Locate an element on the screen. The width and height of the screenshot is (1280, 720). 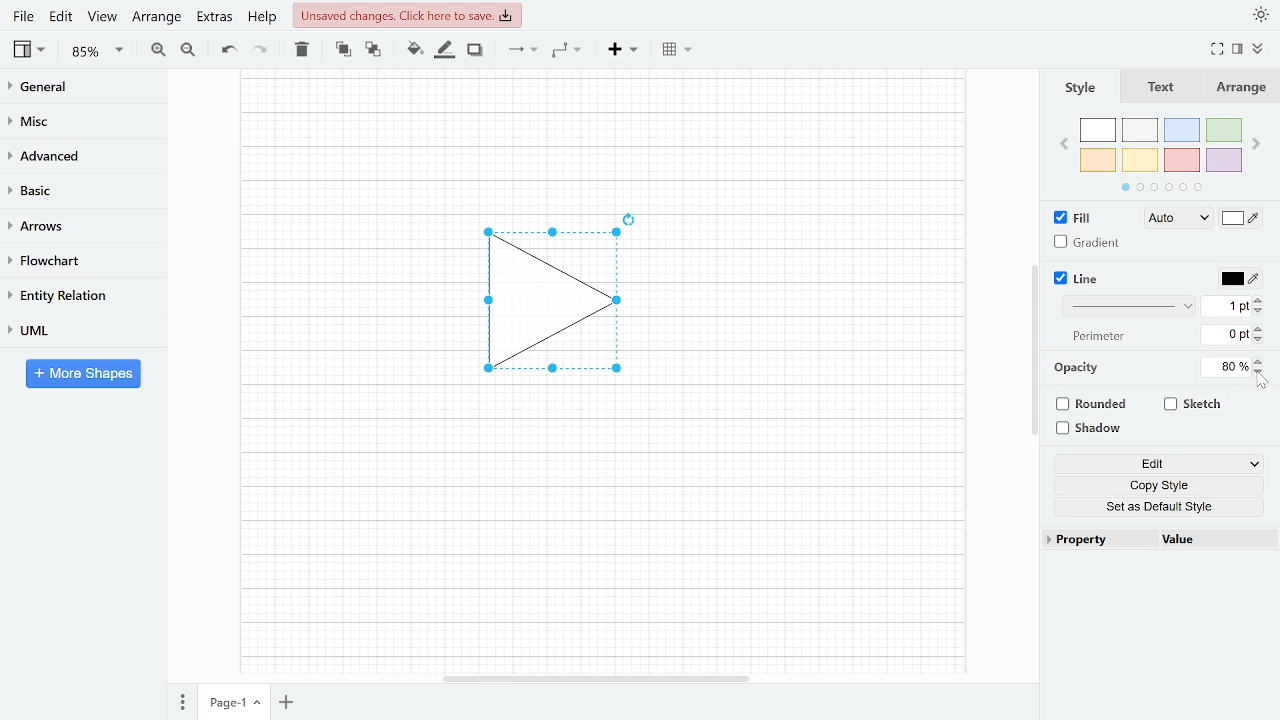
Connection is located at coordinates (522, 49).